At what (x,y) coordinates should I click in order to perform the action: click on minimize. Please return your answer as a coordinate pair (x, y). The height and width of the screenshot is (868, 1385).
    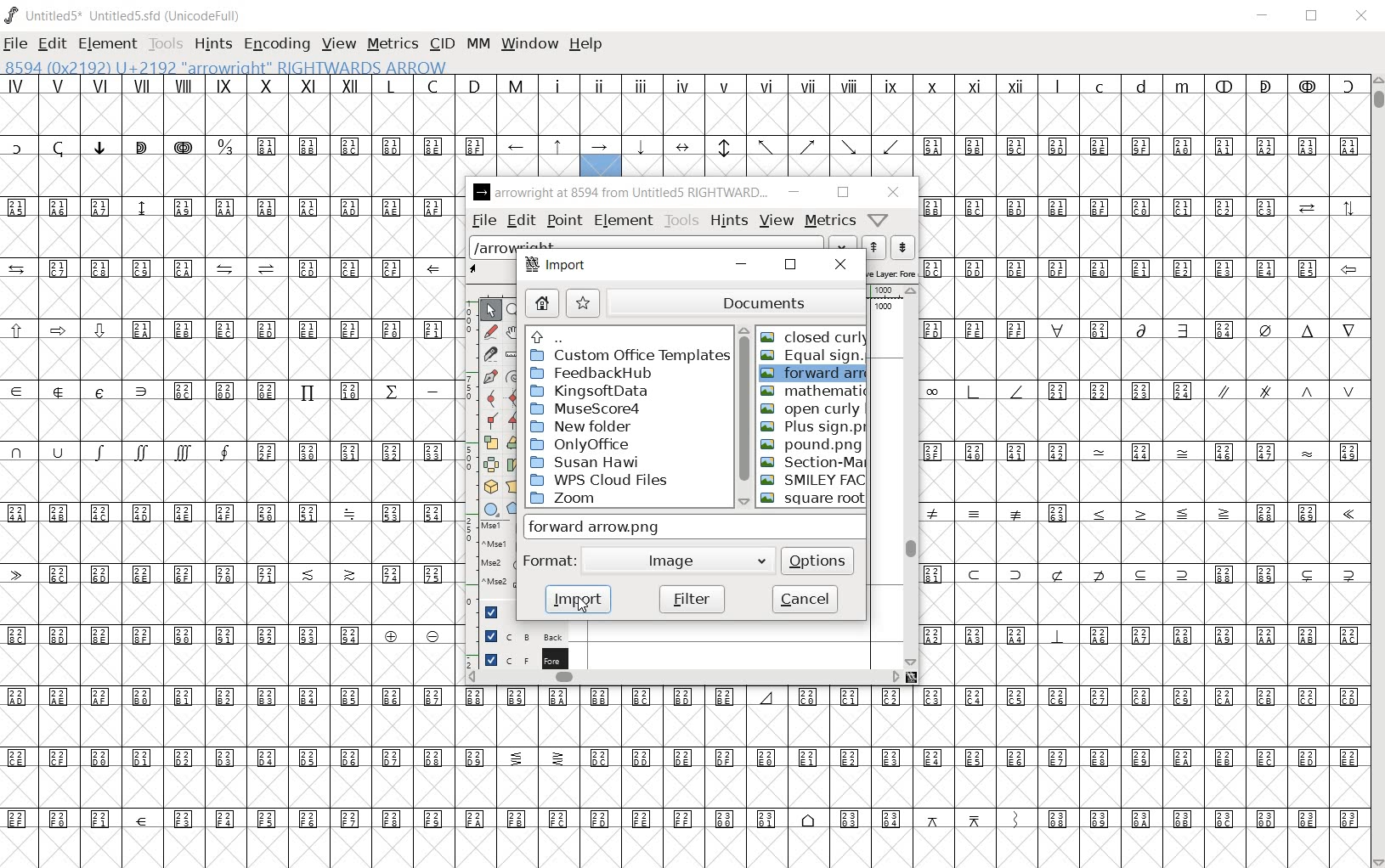
    Looking at the image, I should click on (794, 192).